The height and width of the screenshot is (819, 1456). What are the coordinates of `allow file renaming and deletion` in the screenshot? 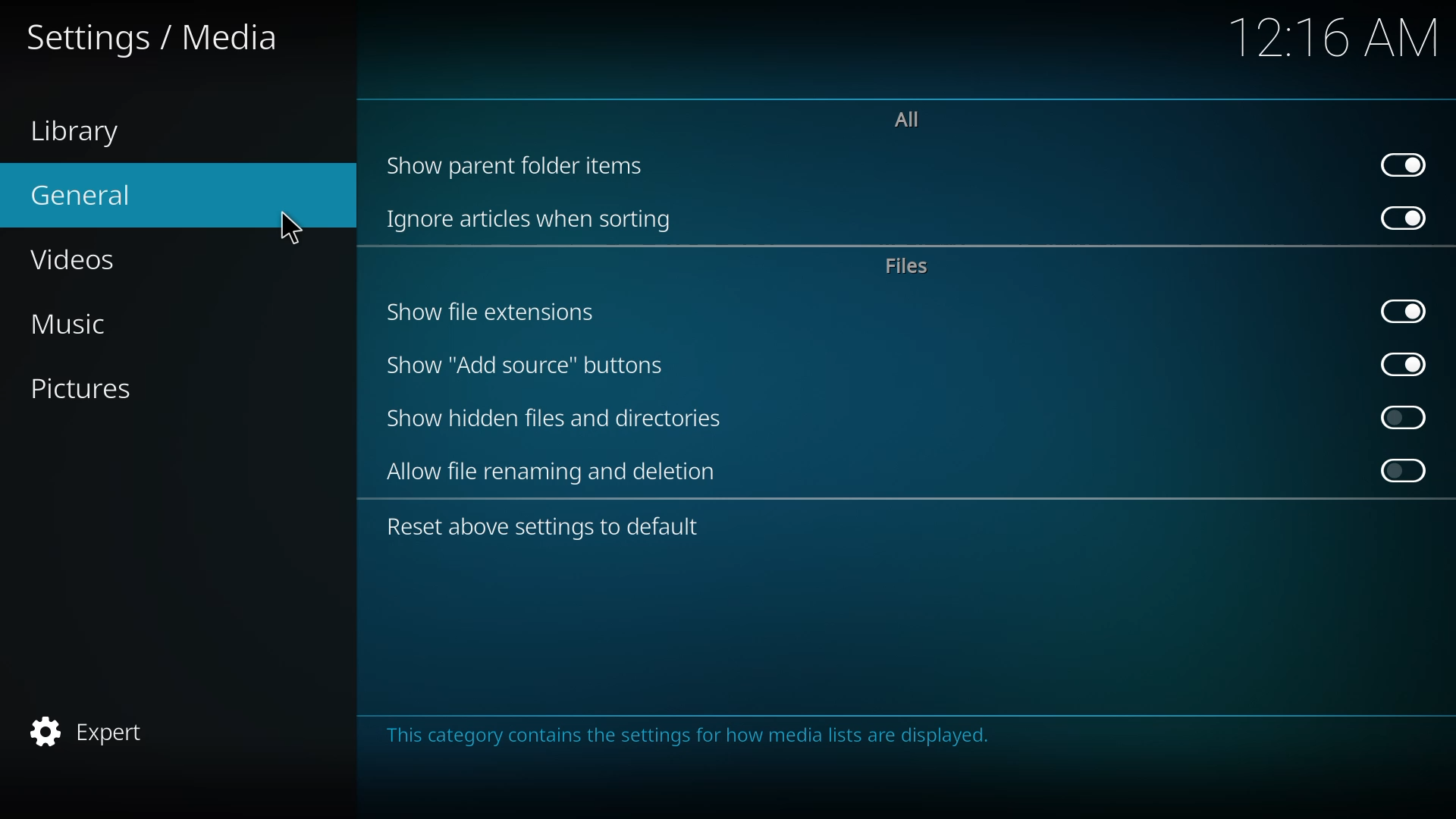 It's located at (555, 472).